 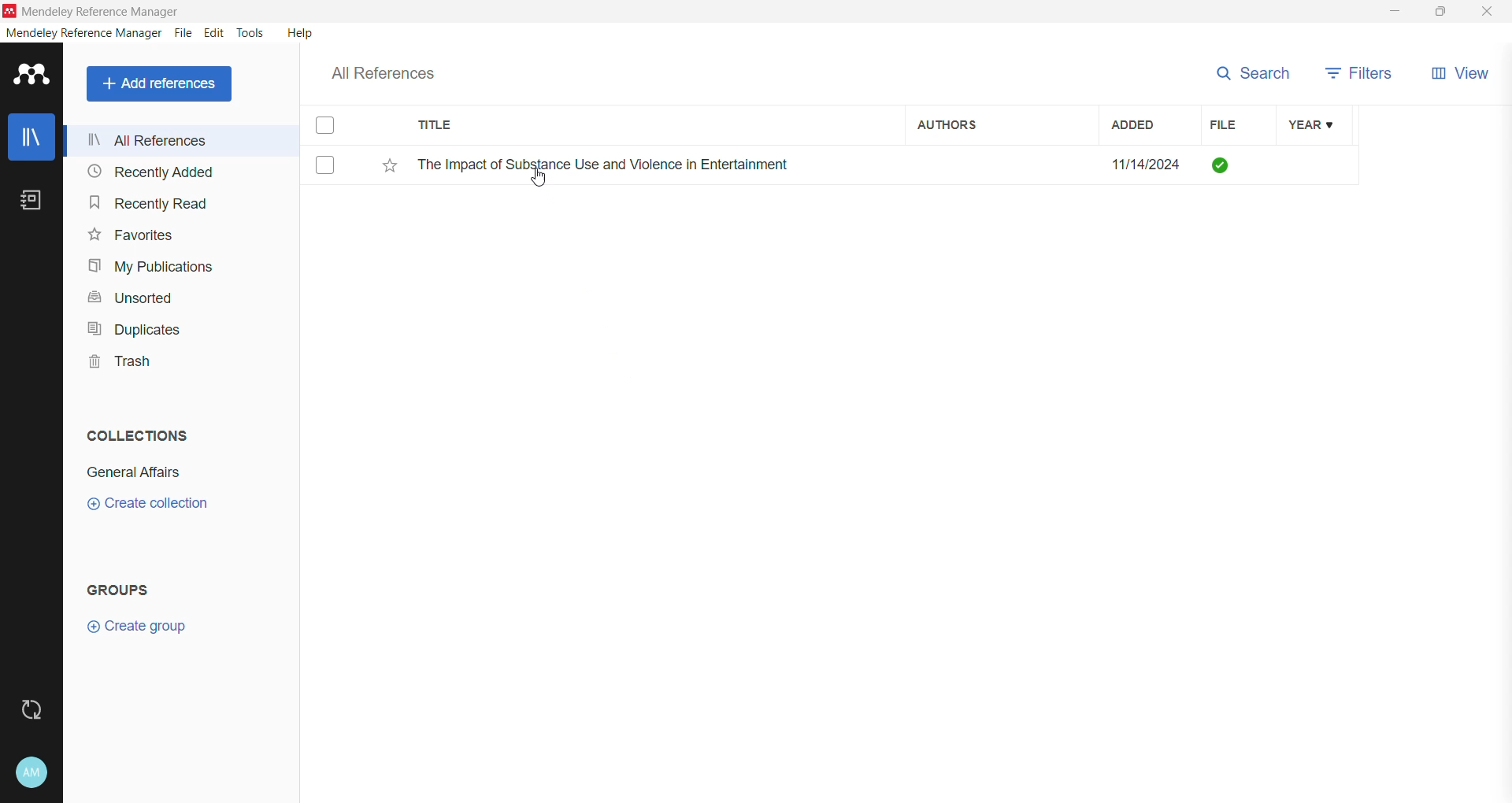 What do you see at coordinates (1361, 74) in the screenshot?
I see `Filters` at bounding box center [1361, 74].